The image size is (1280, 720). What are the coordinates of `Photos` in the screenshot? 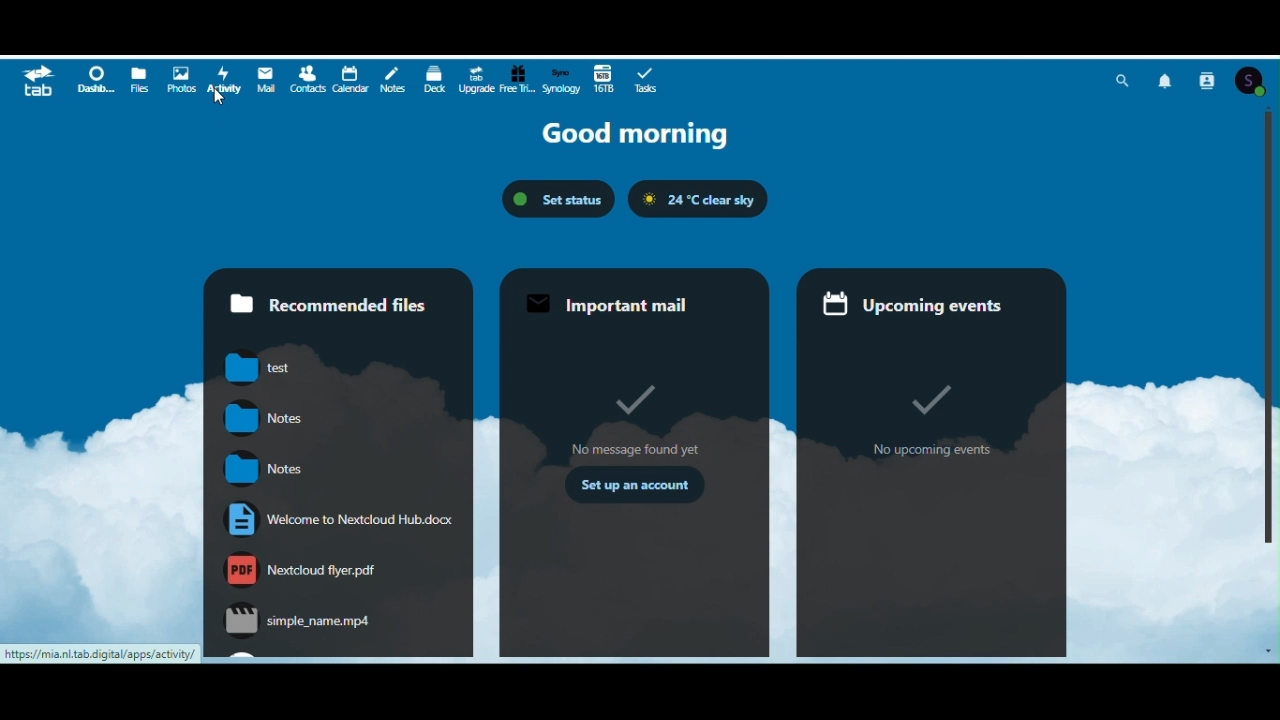 It's located at (182, 79).